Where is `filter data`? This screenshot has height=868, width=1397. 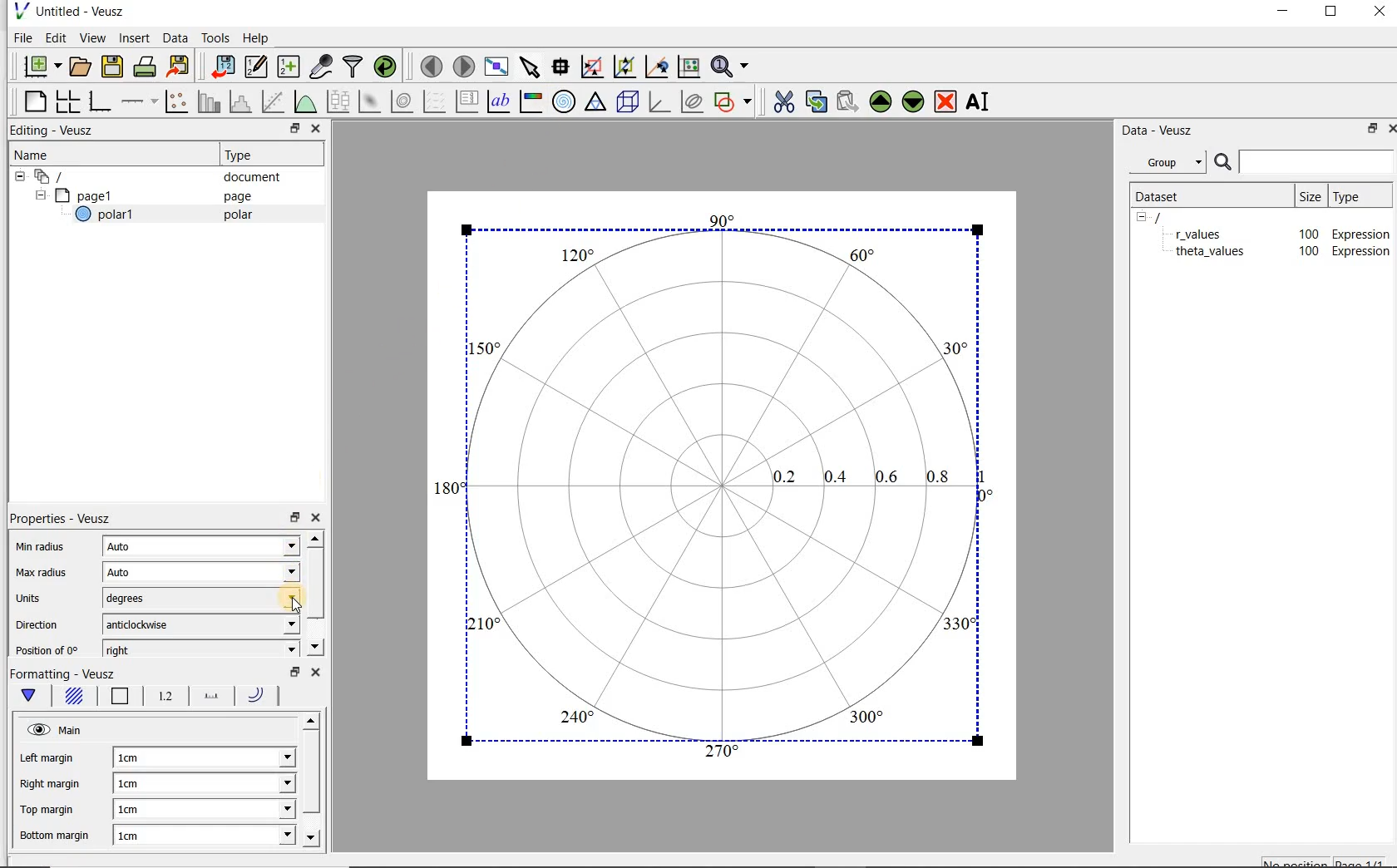
filter data is located at coordinates (353, 68).